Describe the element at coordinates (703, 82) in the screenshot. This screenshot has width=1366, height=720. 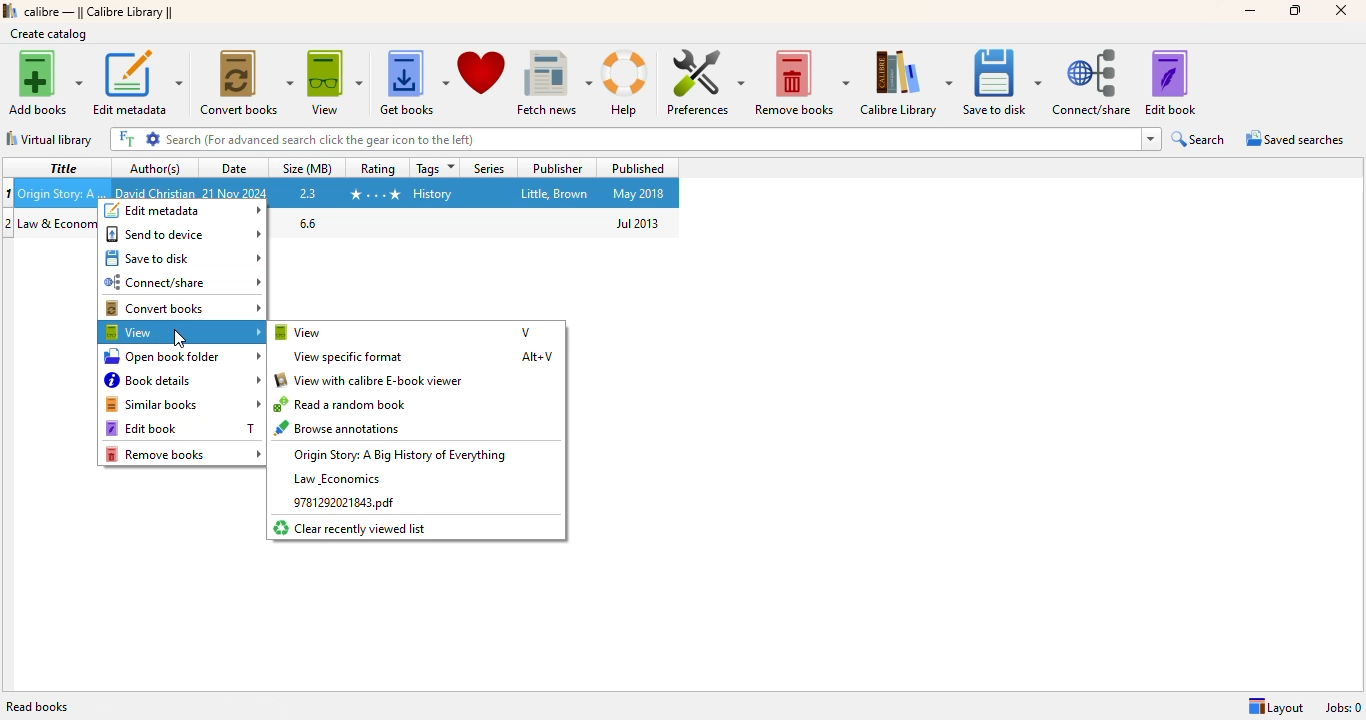
I see `preferences` at that location.